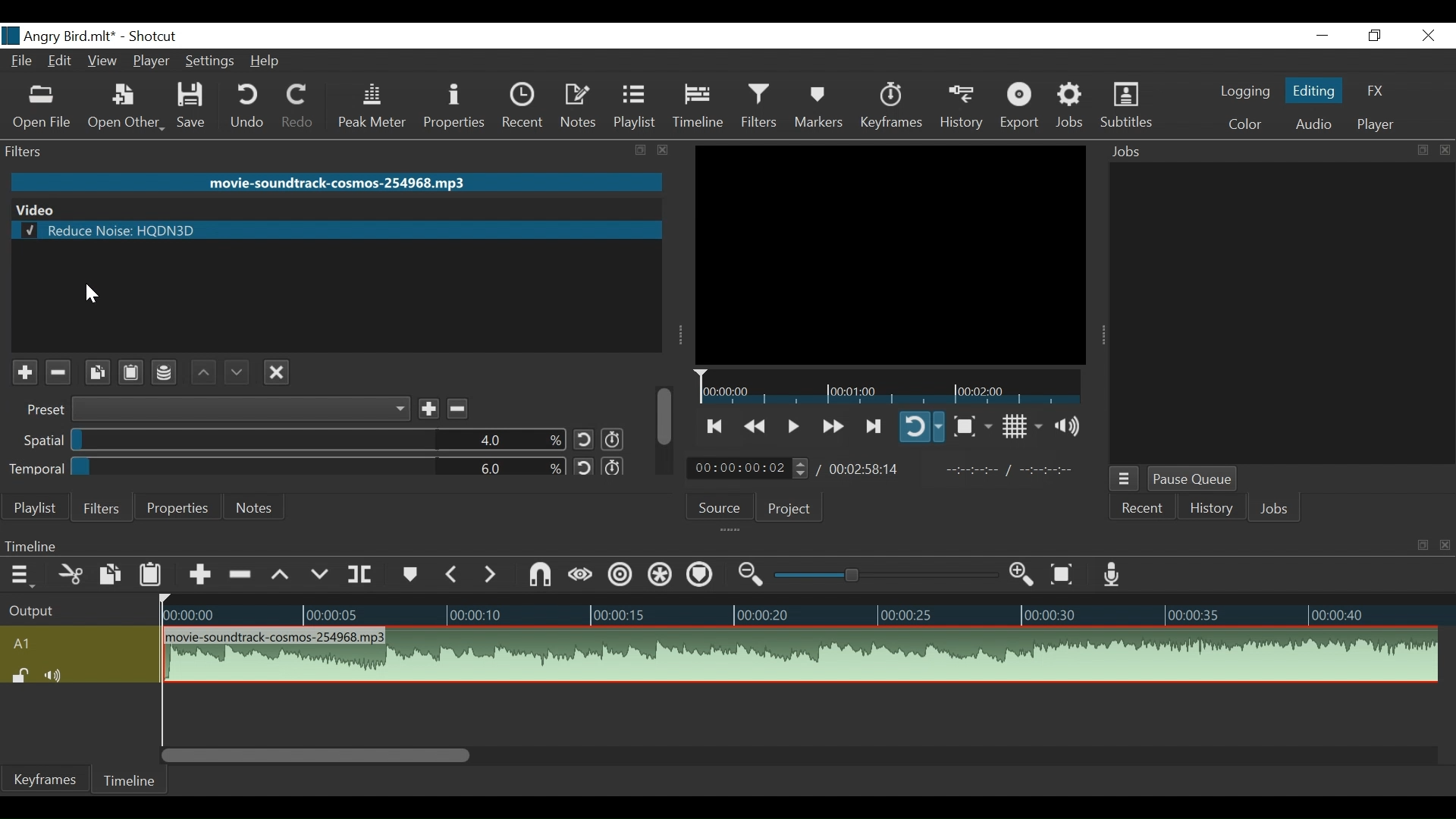 The height and width of the screenshot is (819, 1456). Describe the element at coordinates (1114, 576) in the screenshot. I see `Record audio` at that location.